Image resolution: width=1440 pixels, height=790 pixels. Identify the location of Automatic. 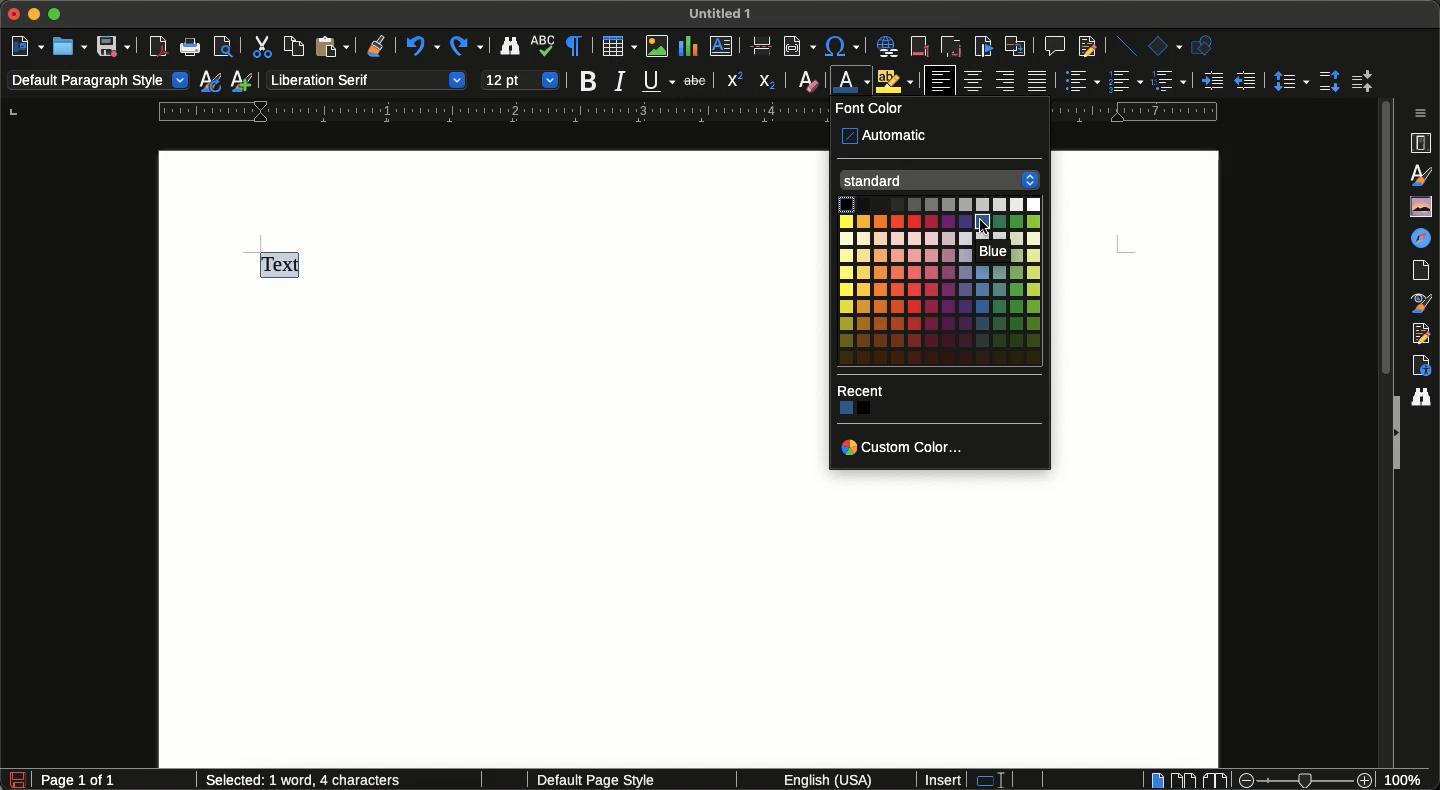
(890, 136).